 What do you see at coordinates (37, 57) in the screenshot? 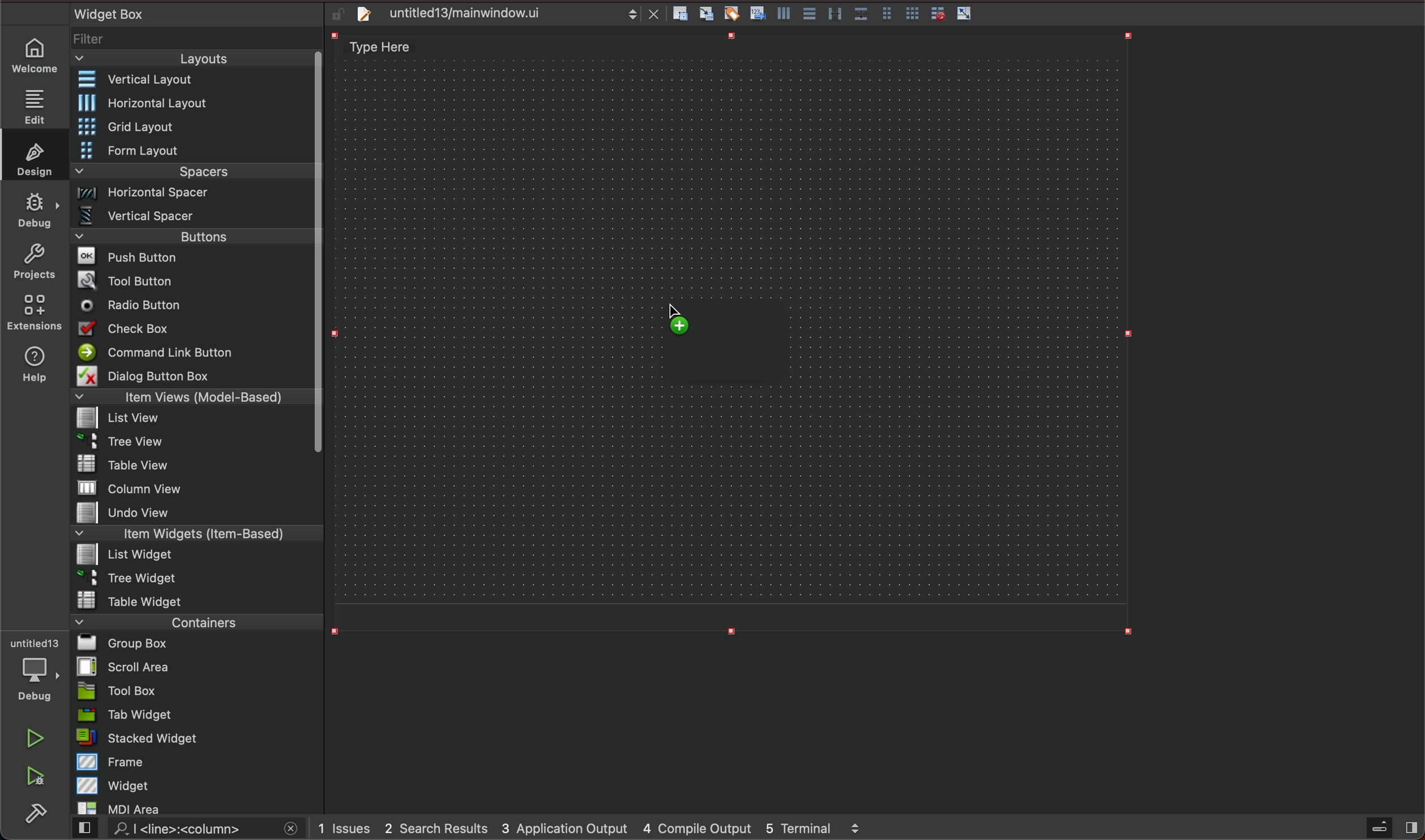
I see `home` at bounding box center [37, 57].